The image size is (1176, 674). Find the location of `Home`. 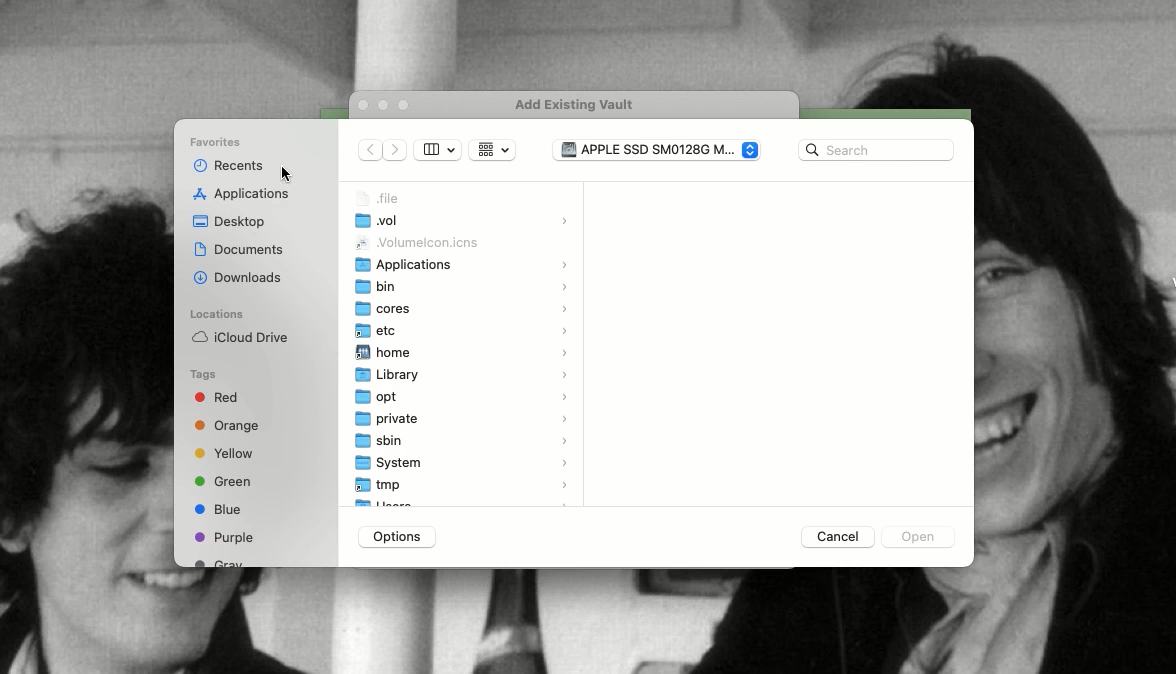

Home is located at coordinates (463, 353).